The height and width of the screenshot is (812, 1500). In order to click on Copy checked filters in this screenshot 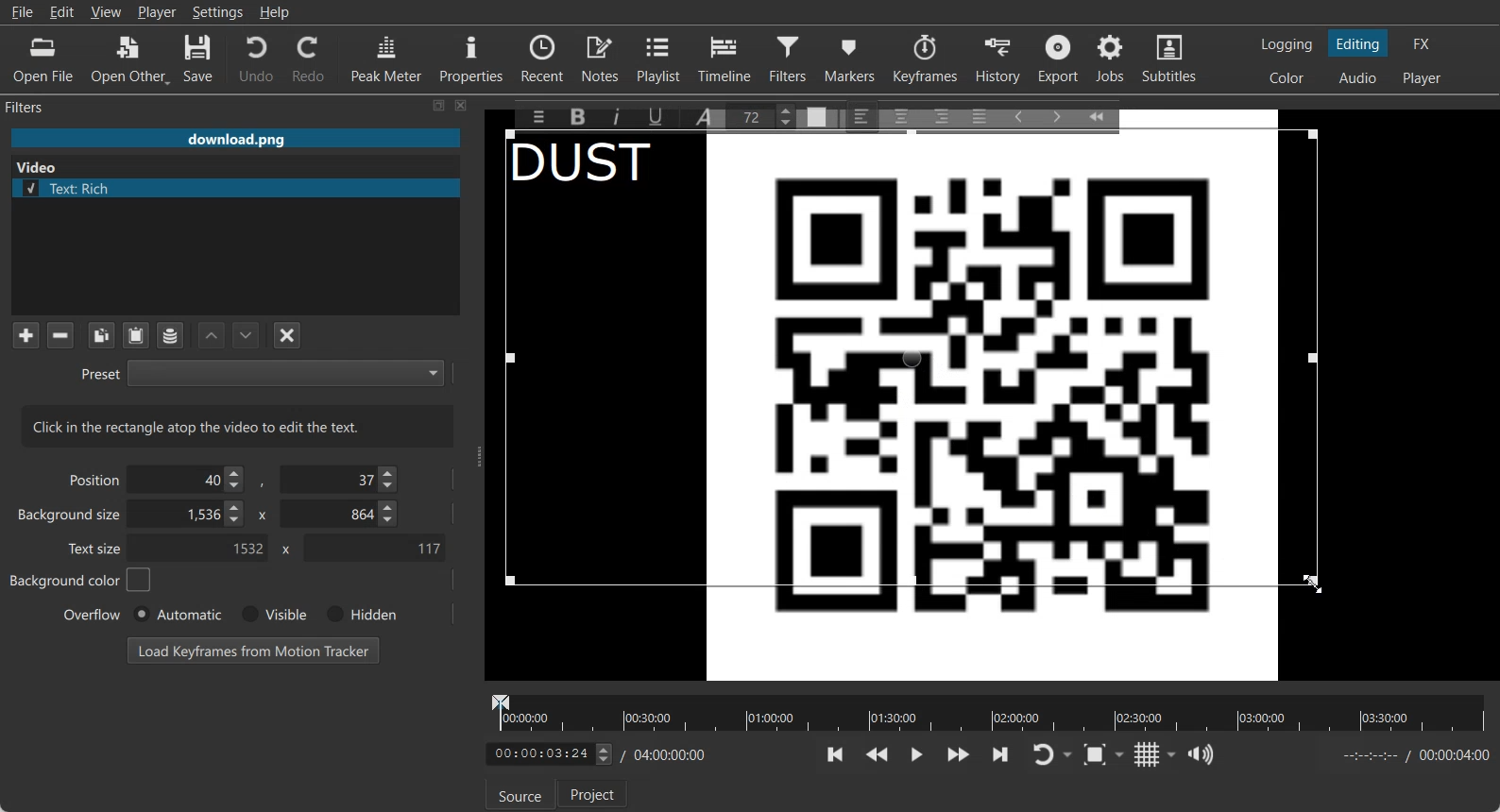, I will do `click(101, 335)`.